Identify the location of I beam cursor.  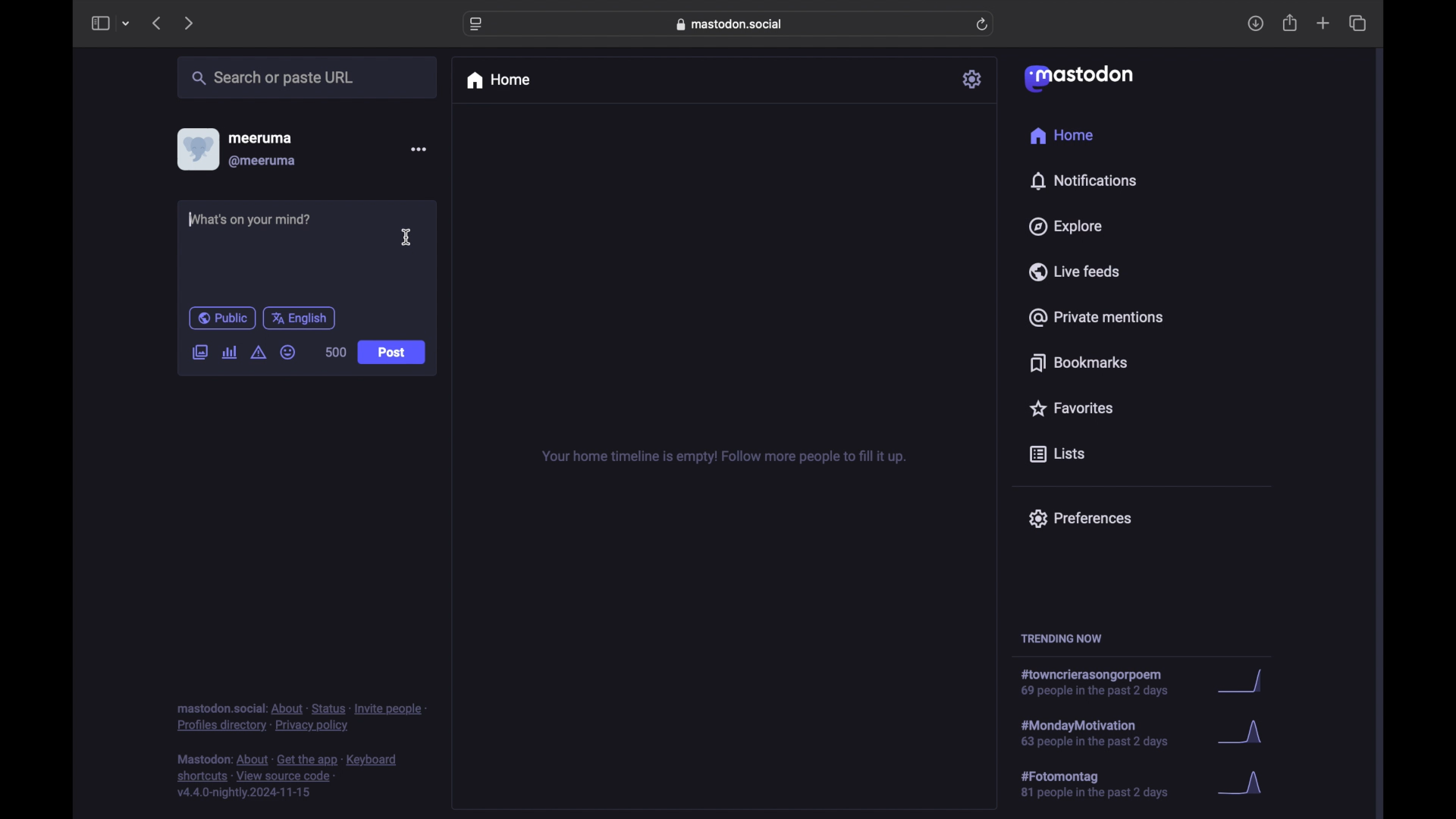
(406, 238).